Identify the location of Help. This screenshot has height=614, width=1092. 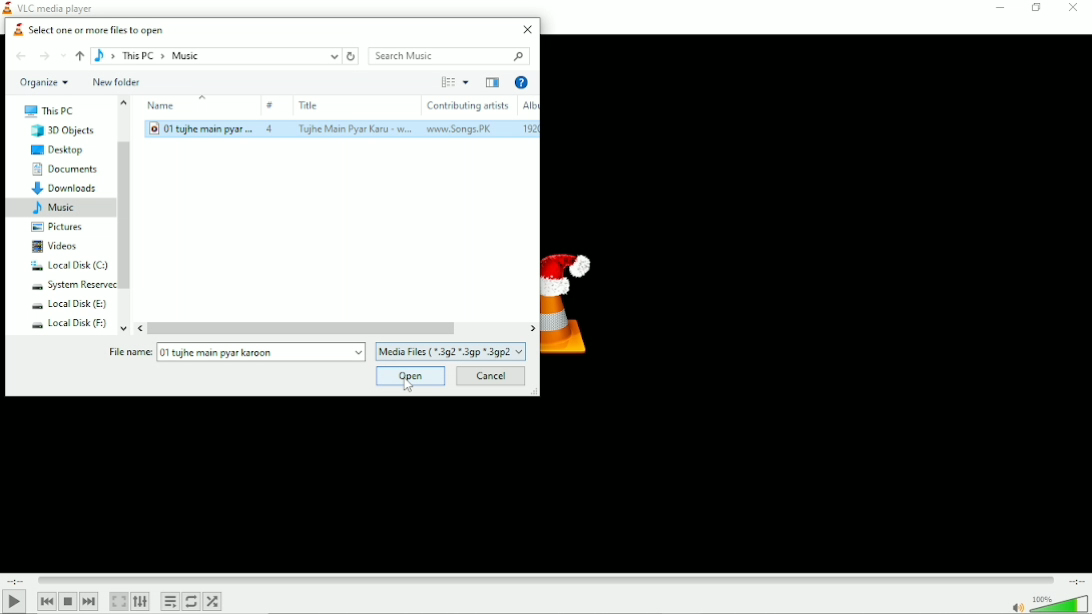
(520, 83).